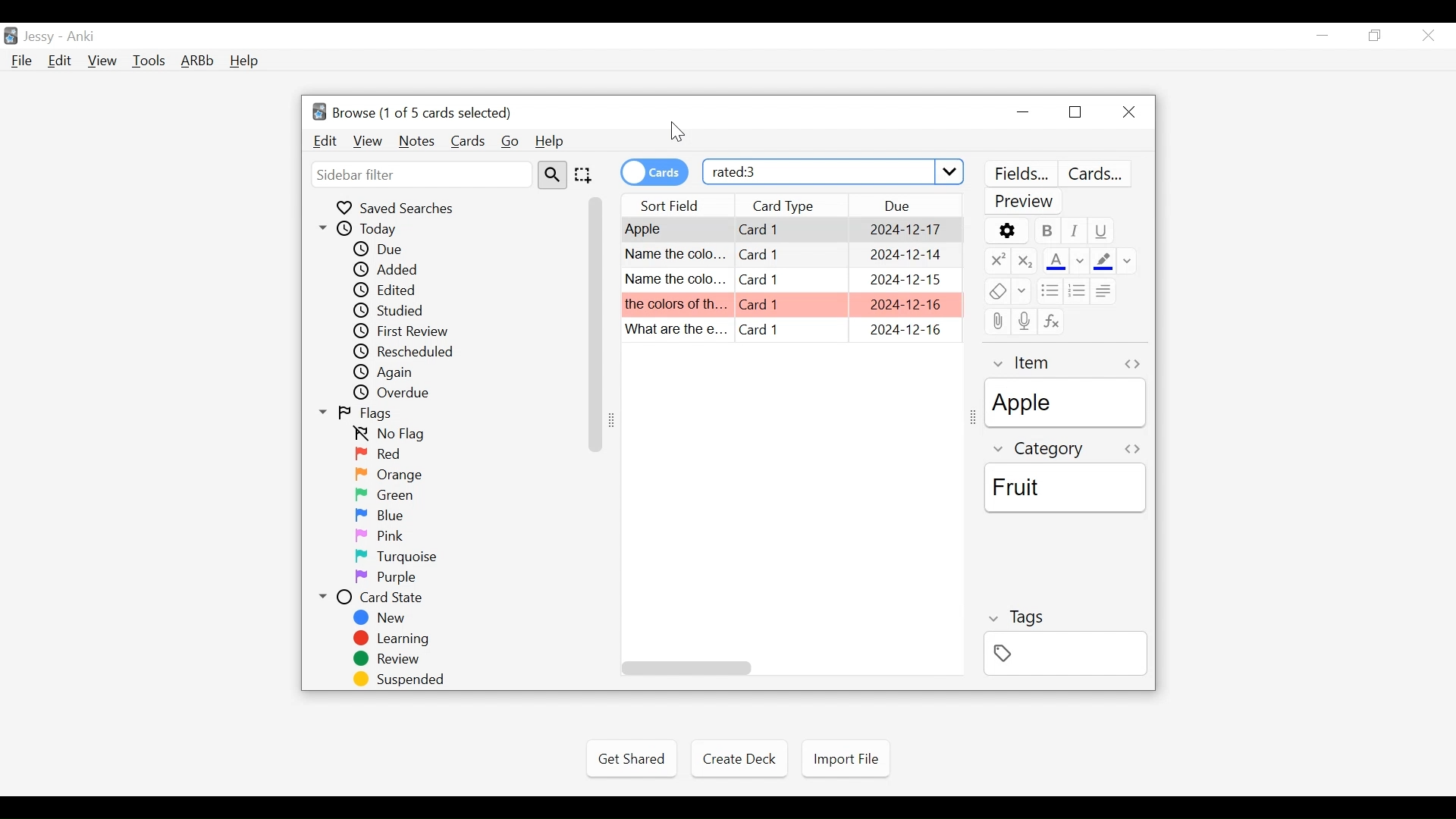  I want to click on Category, so click(1040, 449).